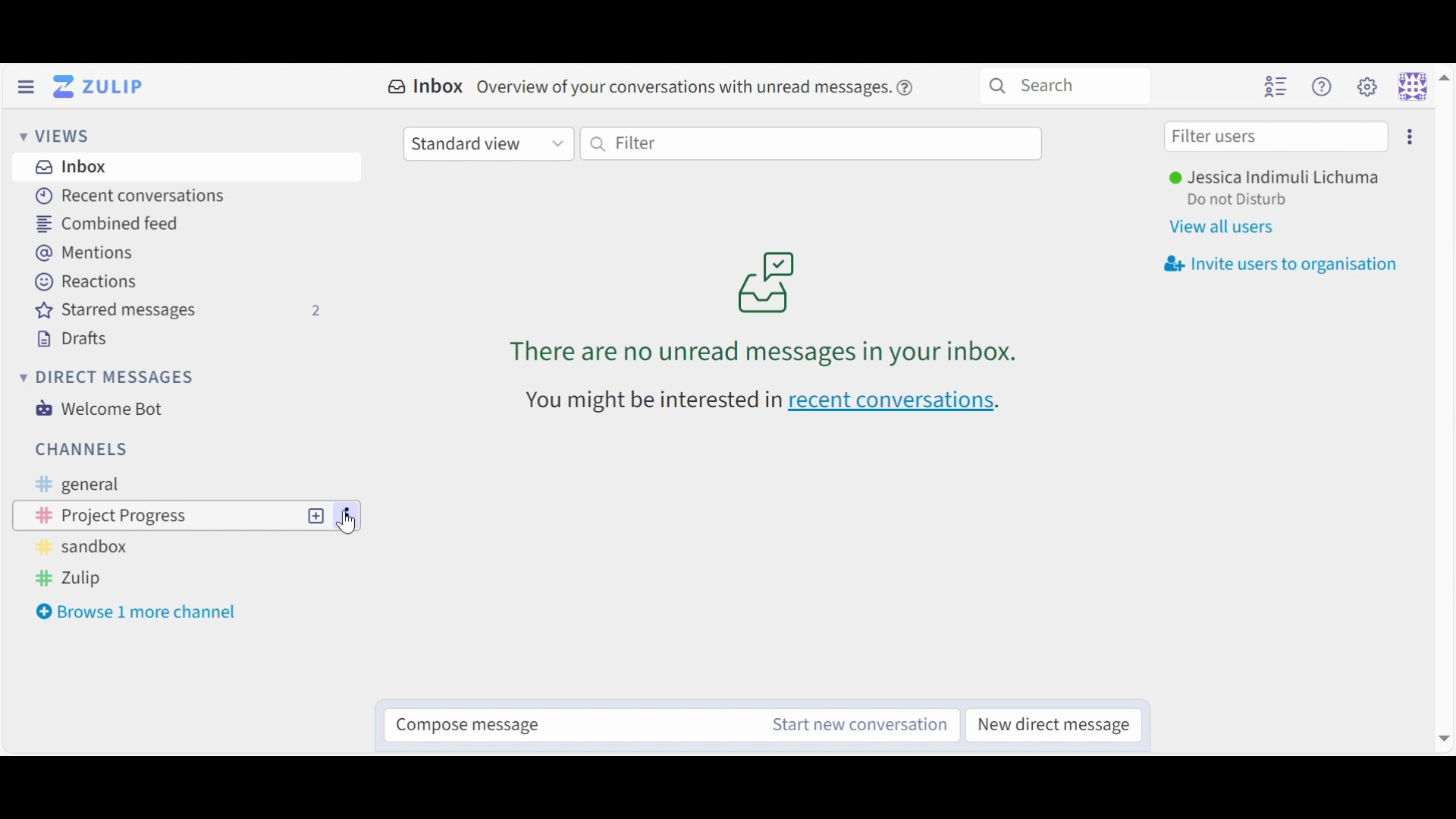  Describe the element at coordinates (89, 451) in the screenshot. I see `Channels` at that location.